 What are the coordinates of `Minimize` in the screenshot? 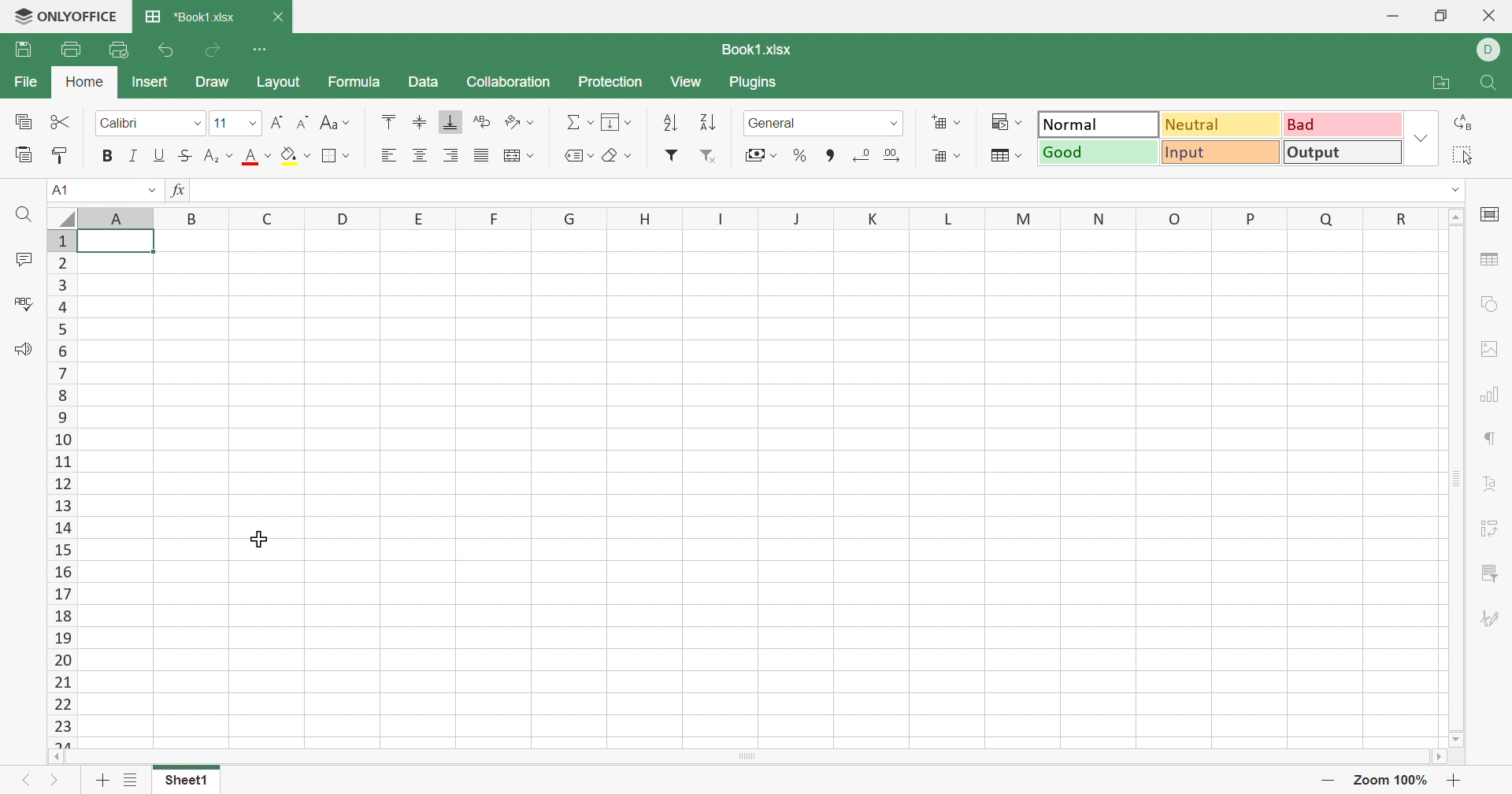 It's located at (1388, 16).